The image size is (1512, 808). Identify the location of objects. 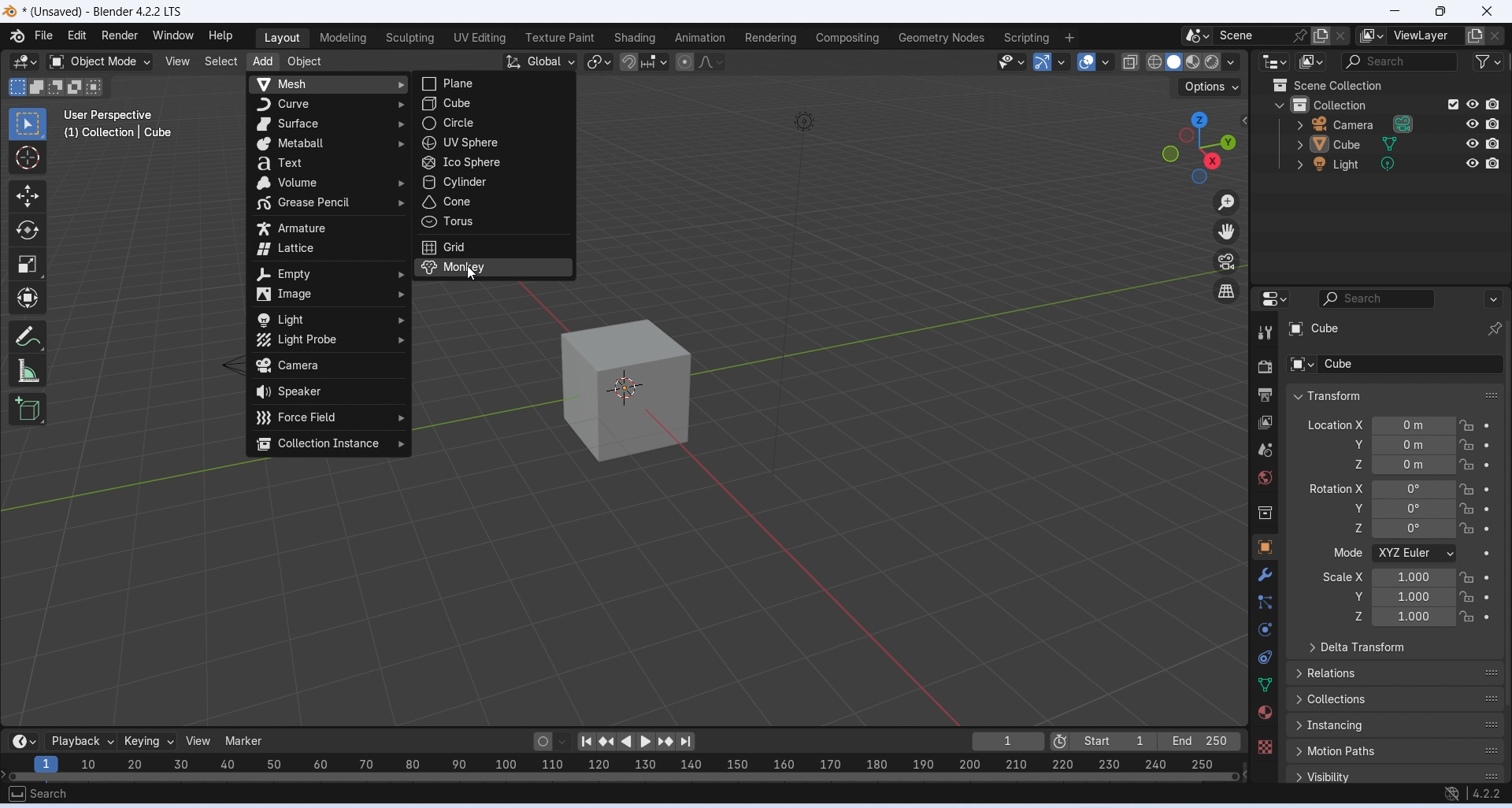
(1265, 547).